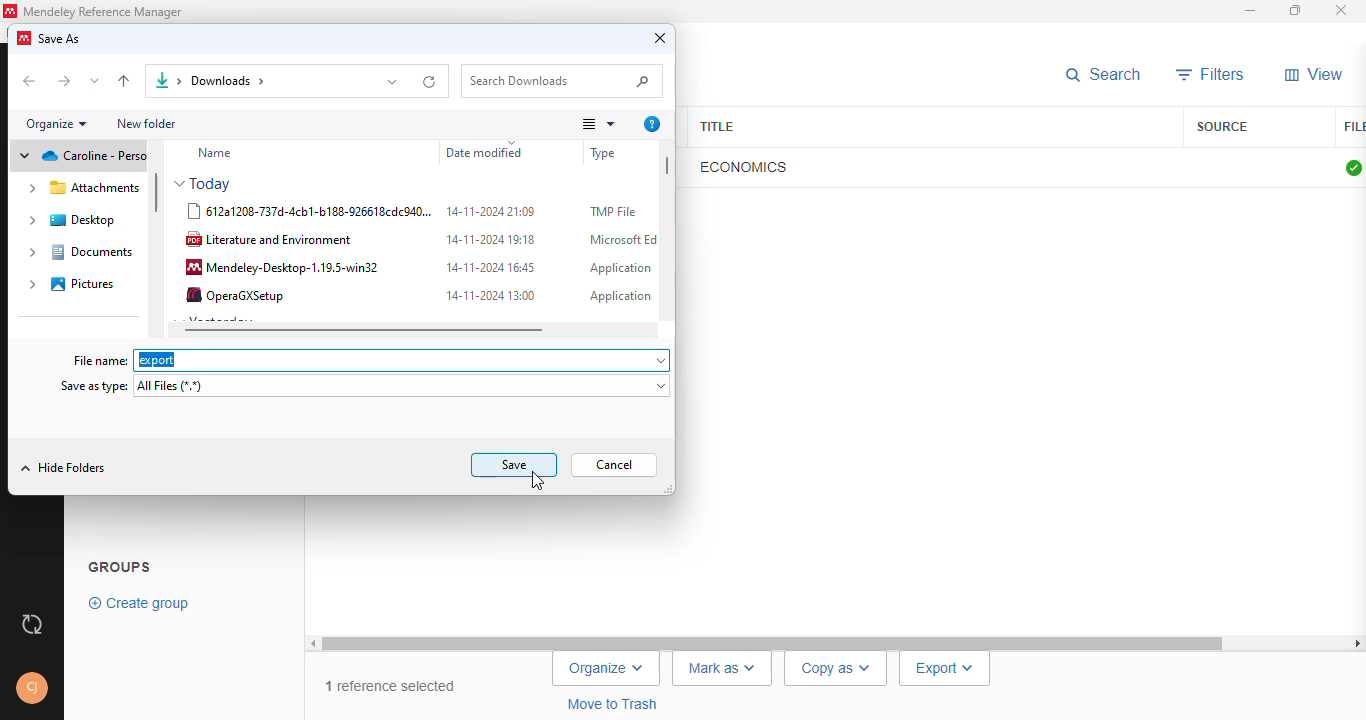 Image resolution: width=1366 pixels, height=720 pixels. I want to click on application, so click(621, 296).